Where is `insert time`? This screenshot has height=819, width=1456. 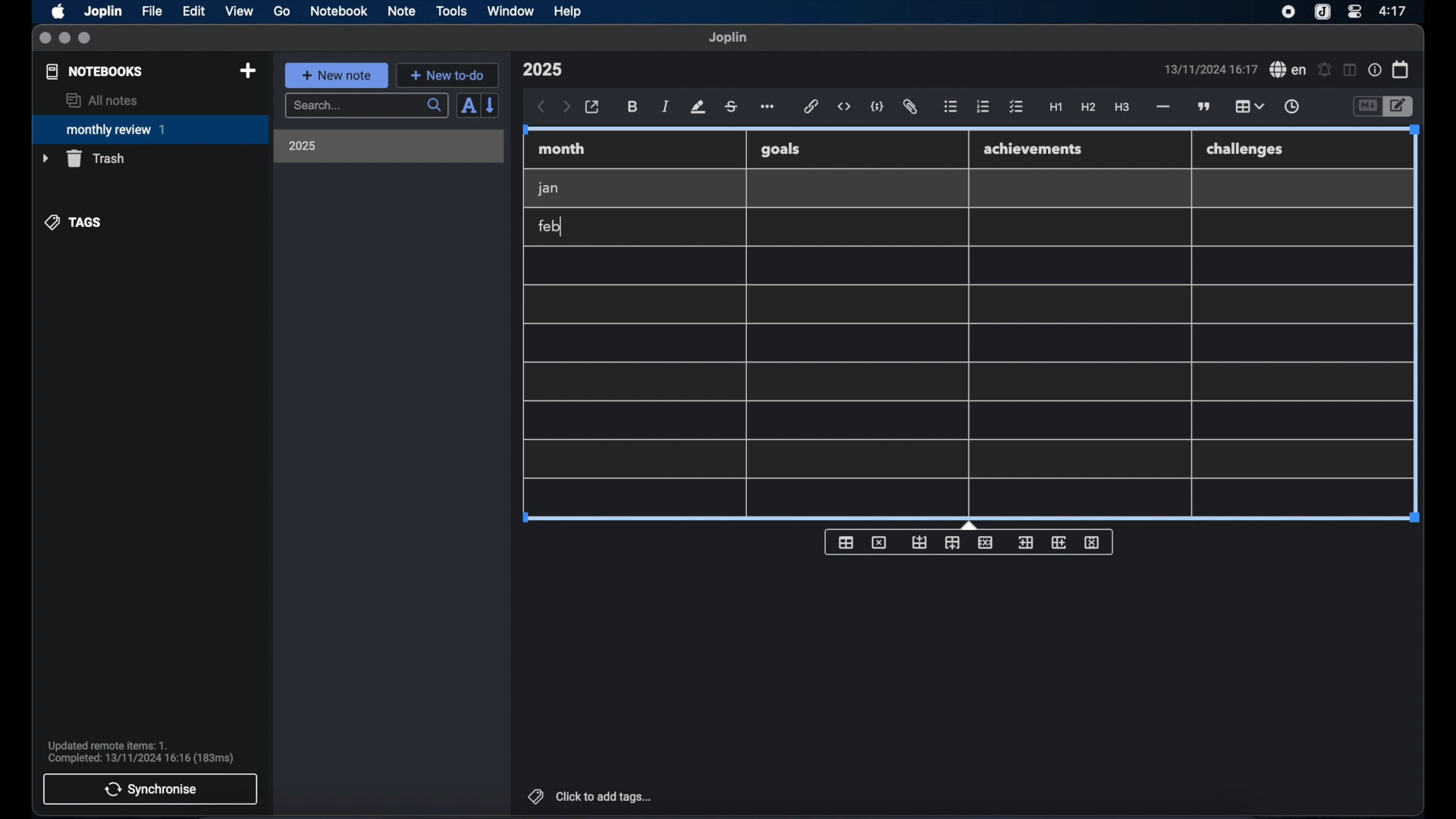 insert time is located at coordinates (1291, 107).